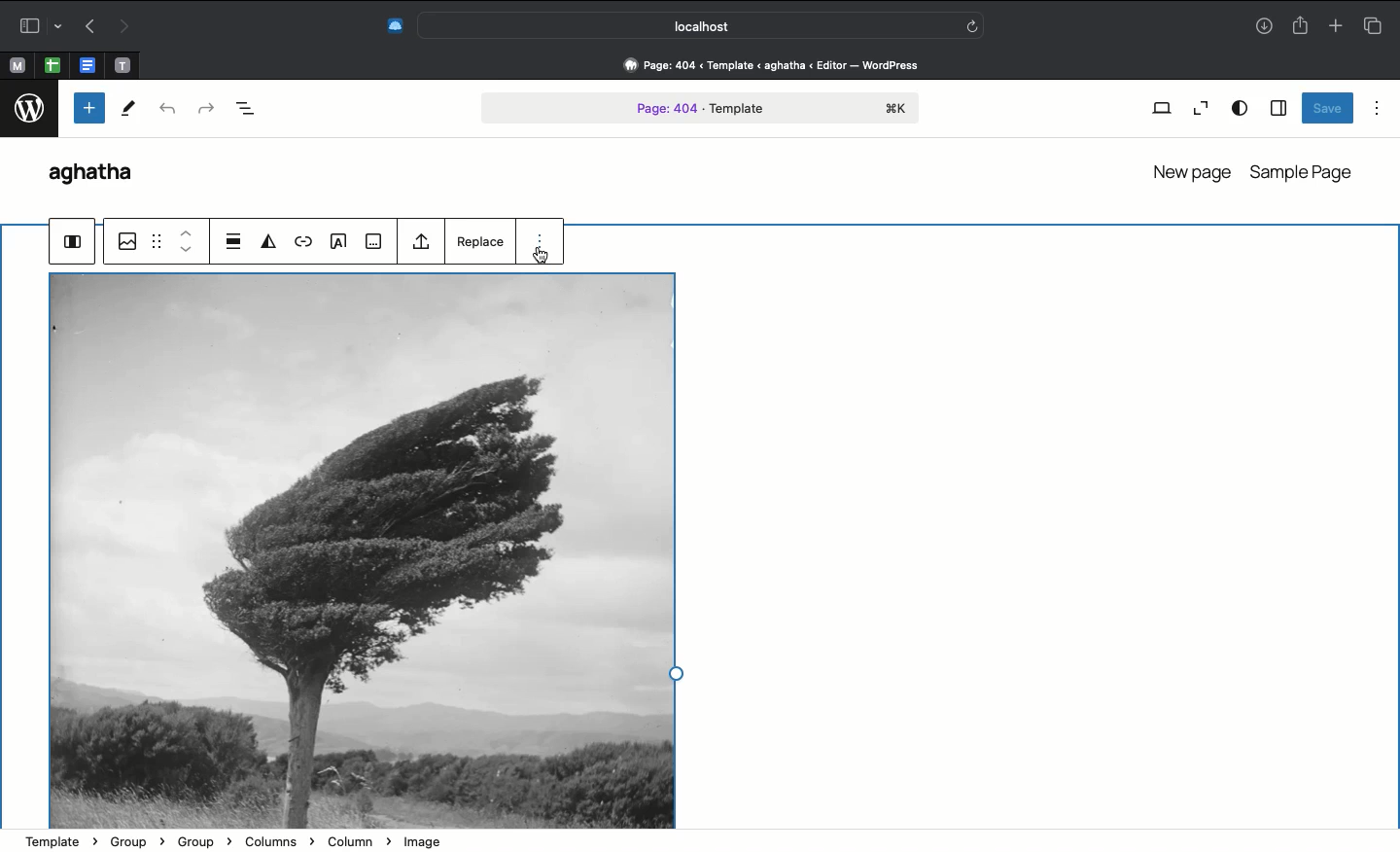 Image resolution: width=1400 pixels, height=852 pixels. I want to click on WordPress name, so click(100, 175).